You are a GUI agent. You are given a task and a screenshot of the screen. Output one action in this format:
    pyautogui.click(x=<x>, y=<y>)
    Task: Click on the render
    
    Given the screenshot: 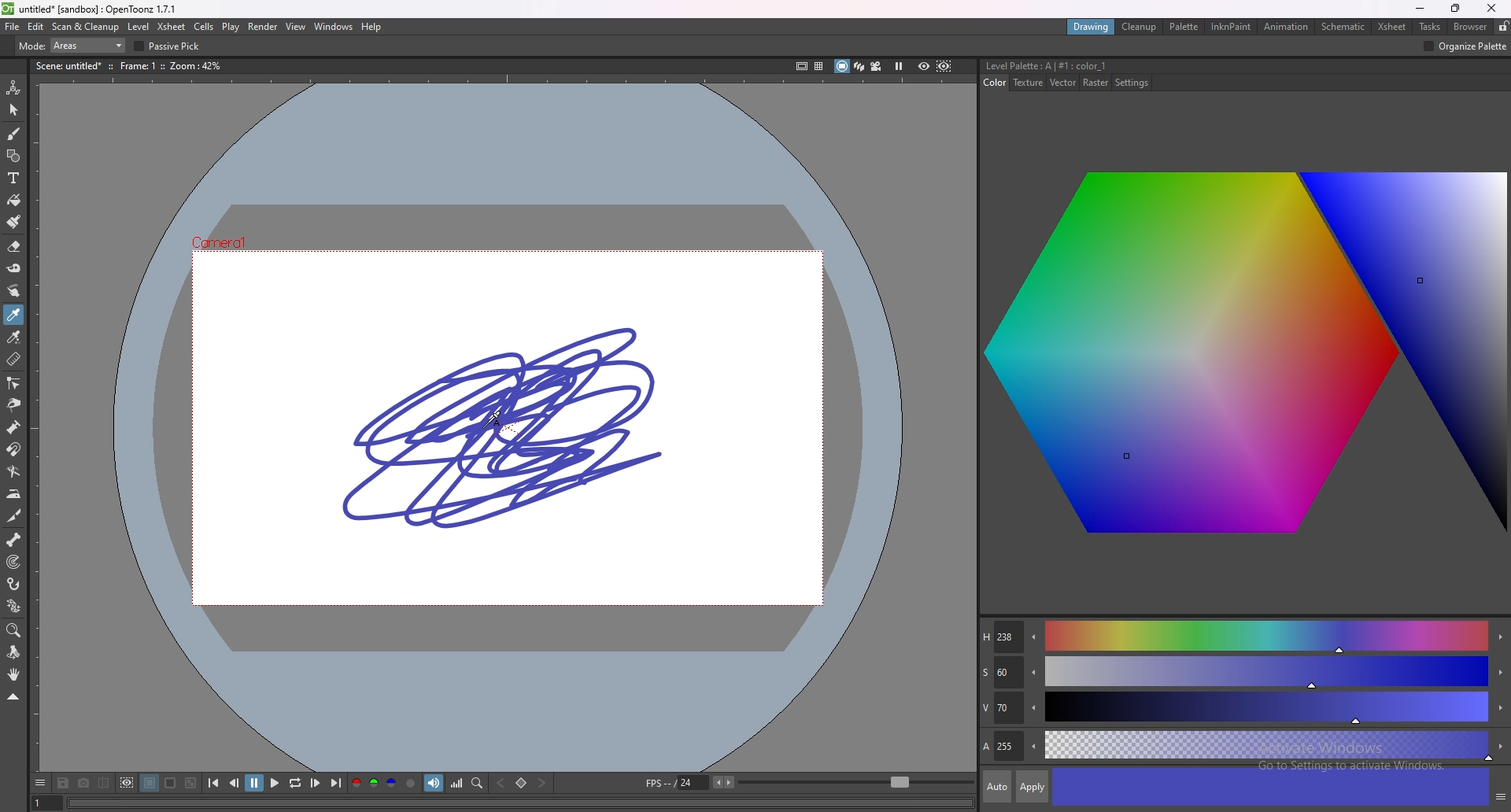 What is the action you would take?
    pyautogui.click(x=264, y=26)
    